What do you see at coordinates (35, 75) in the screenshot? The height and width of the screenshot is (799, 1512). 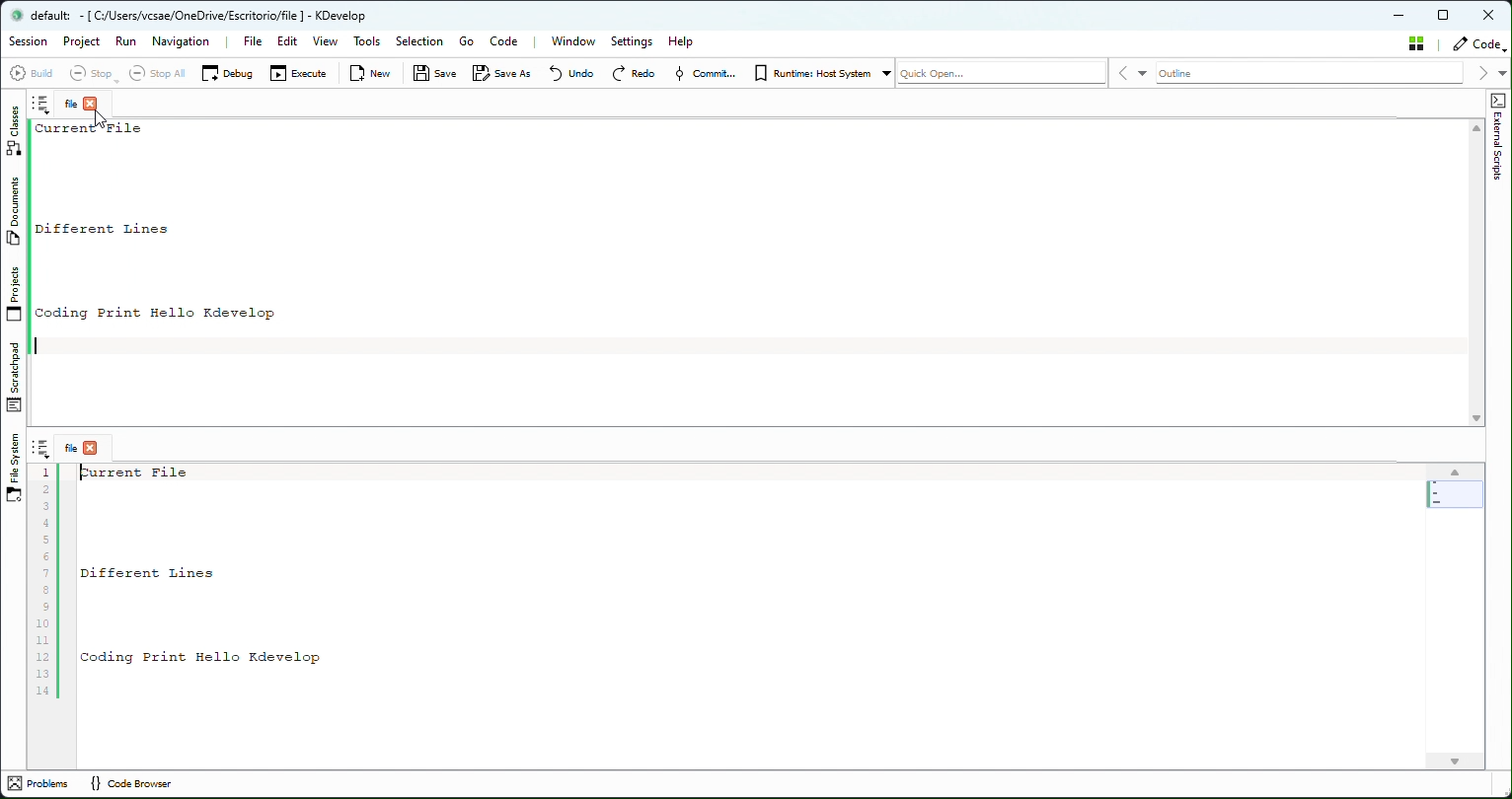 I see `Build` at bounding box center [35, 75].